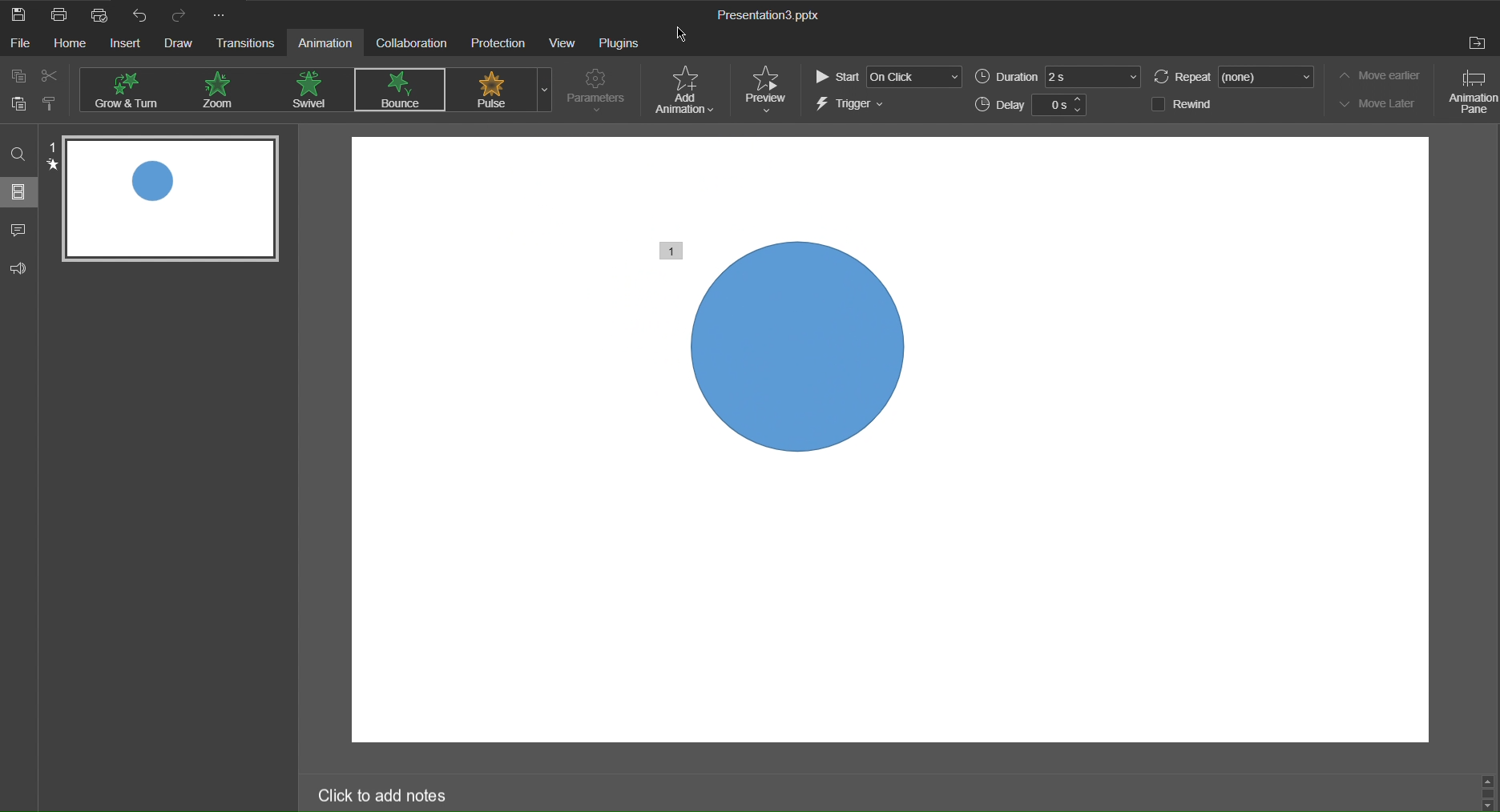  Describe the element at coordinates (1094, 77) in the screenshot. I see `2s` at that location.